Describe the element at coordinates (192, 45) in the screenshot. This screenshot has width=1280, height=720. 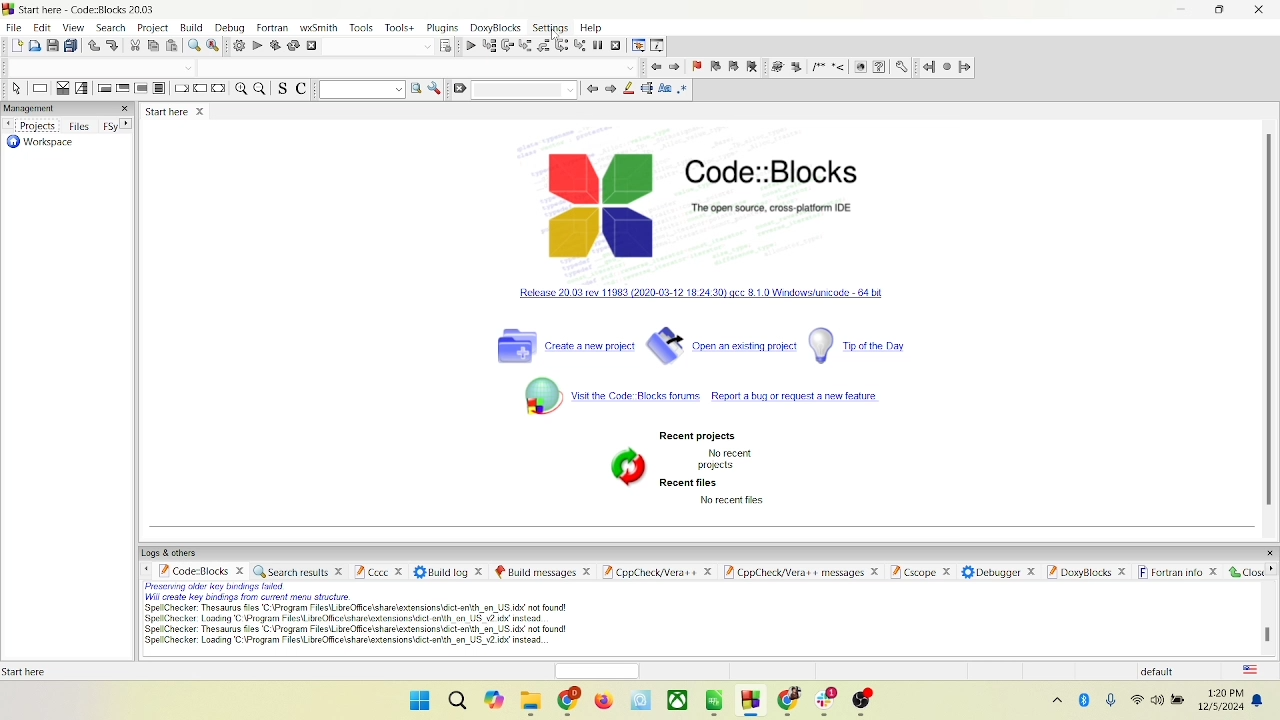
I see `find` at that location.